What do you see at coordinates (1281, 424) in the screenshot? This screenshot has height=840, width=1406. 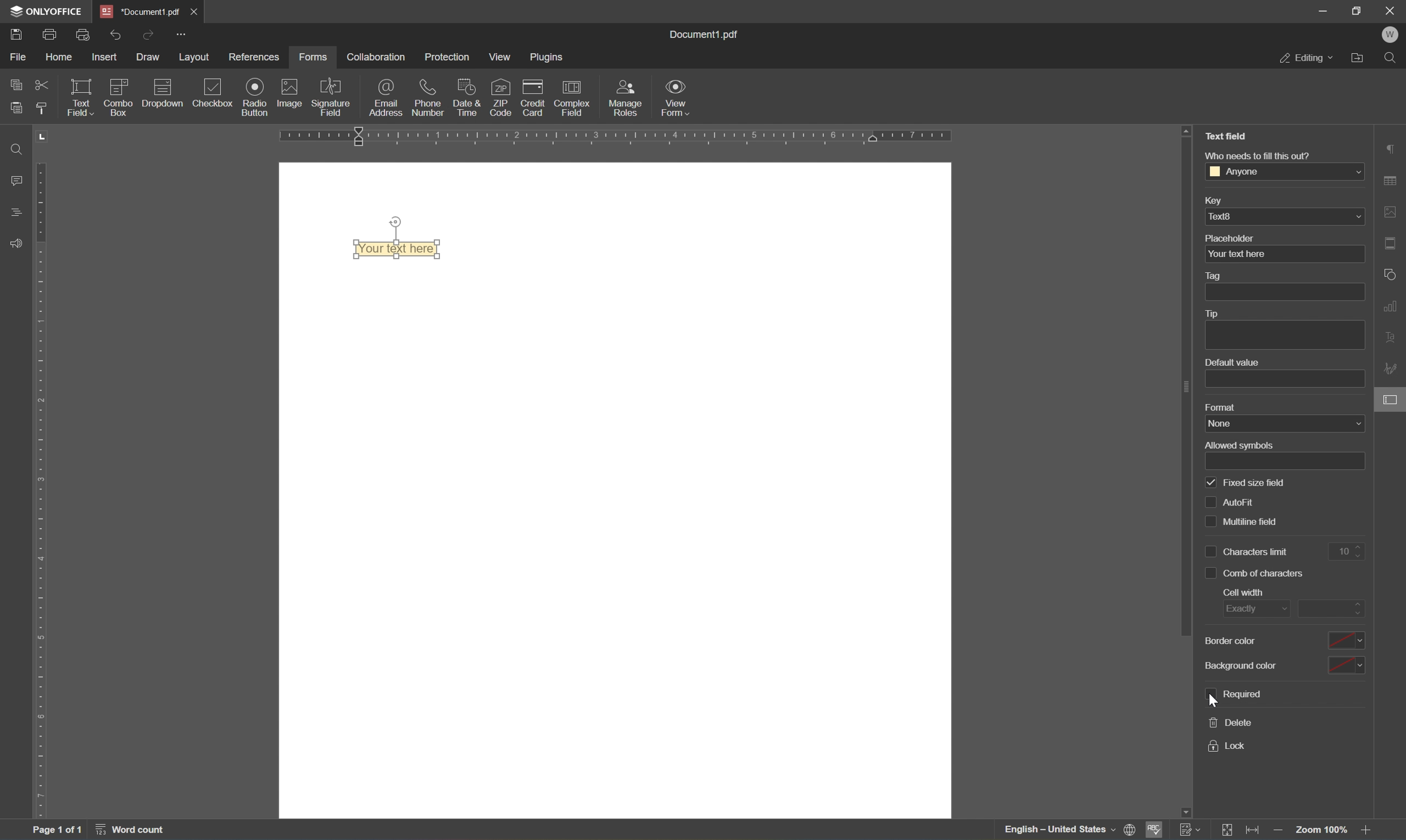 I see `none` at bounding box center [1281, 424].